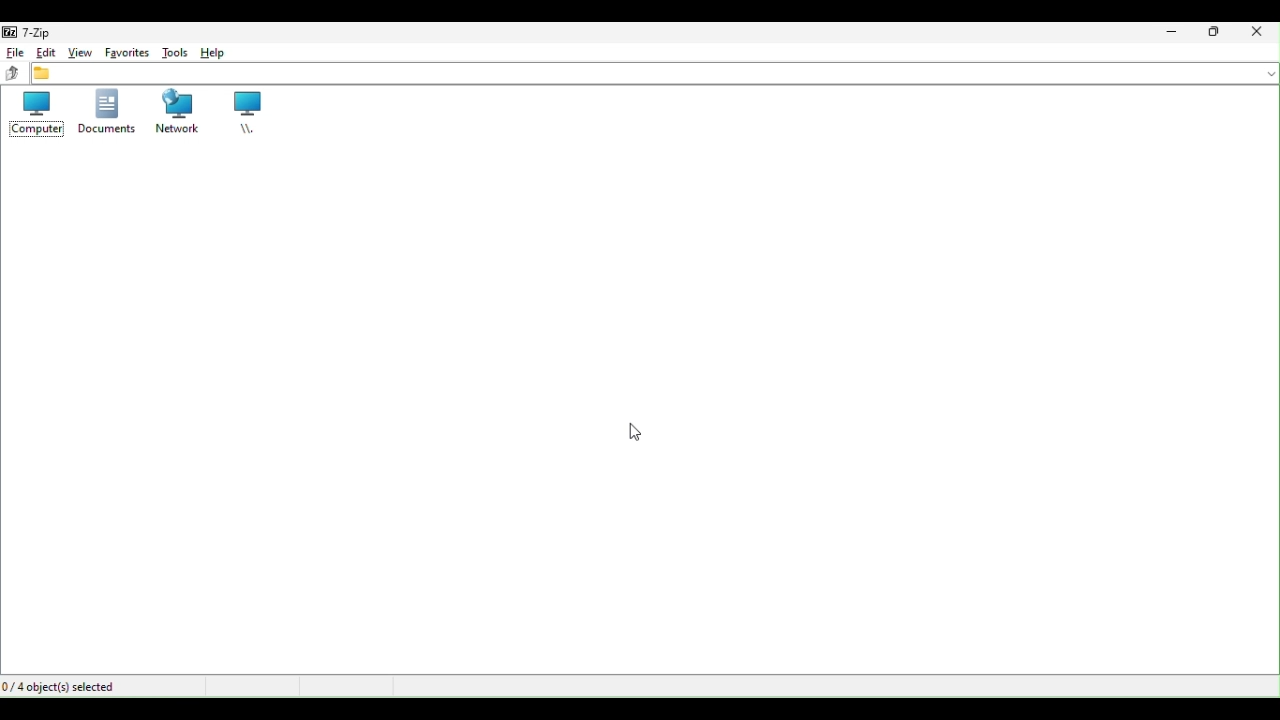  I want to click on Help, so click(216, 50).